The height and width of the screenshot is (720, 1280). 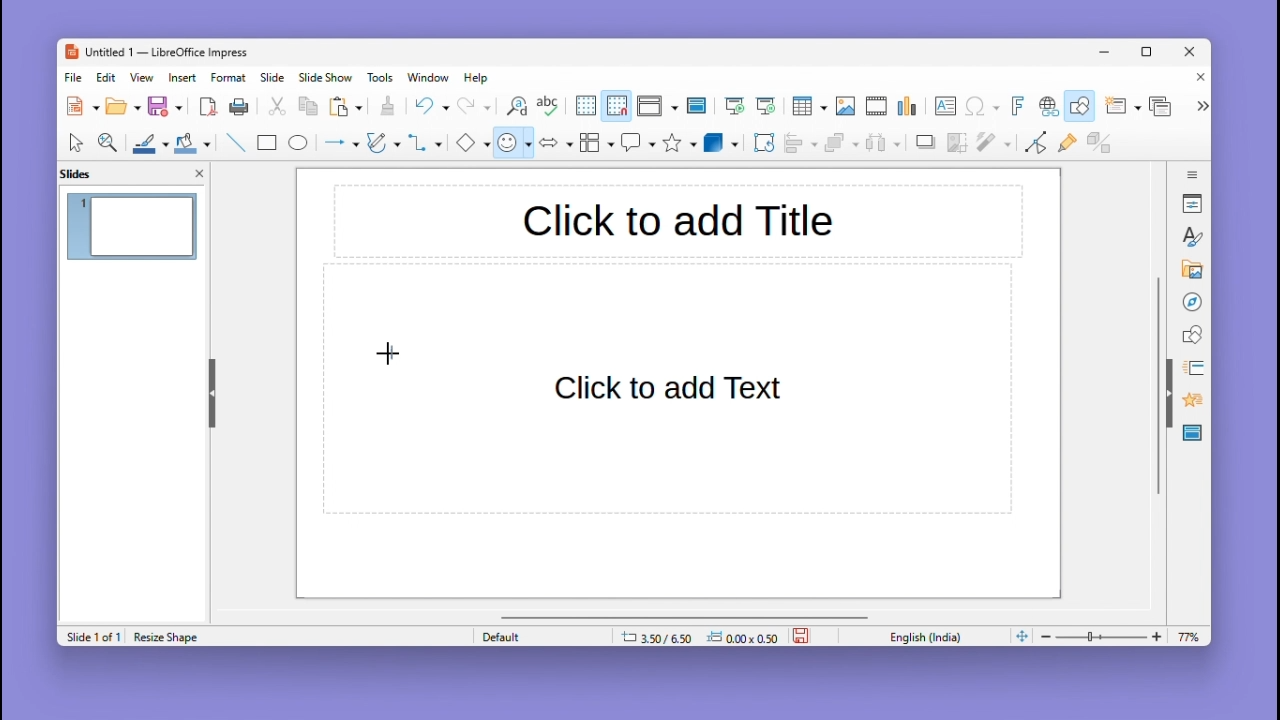 I want to click on Magnification, so click(x=109, y=141).